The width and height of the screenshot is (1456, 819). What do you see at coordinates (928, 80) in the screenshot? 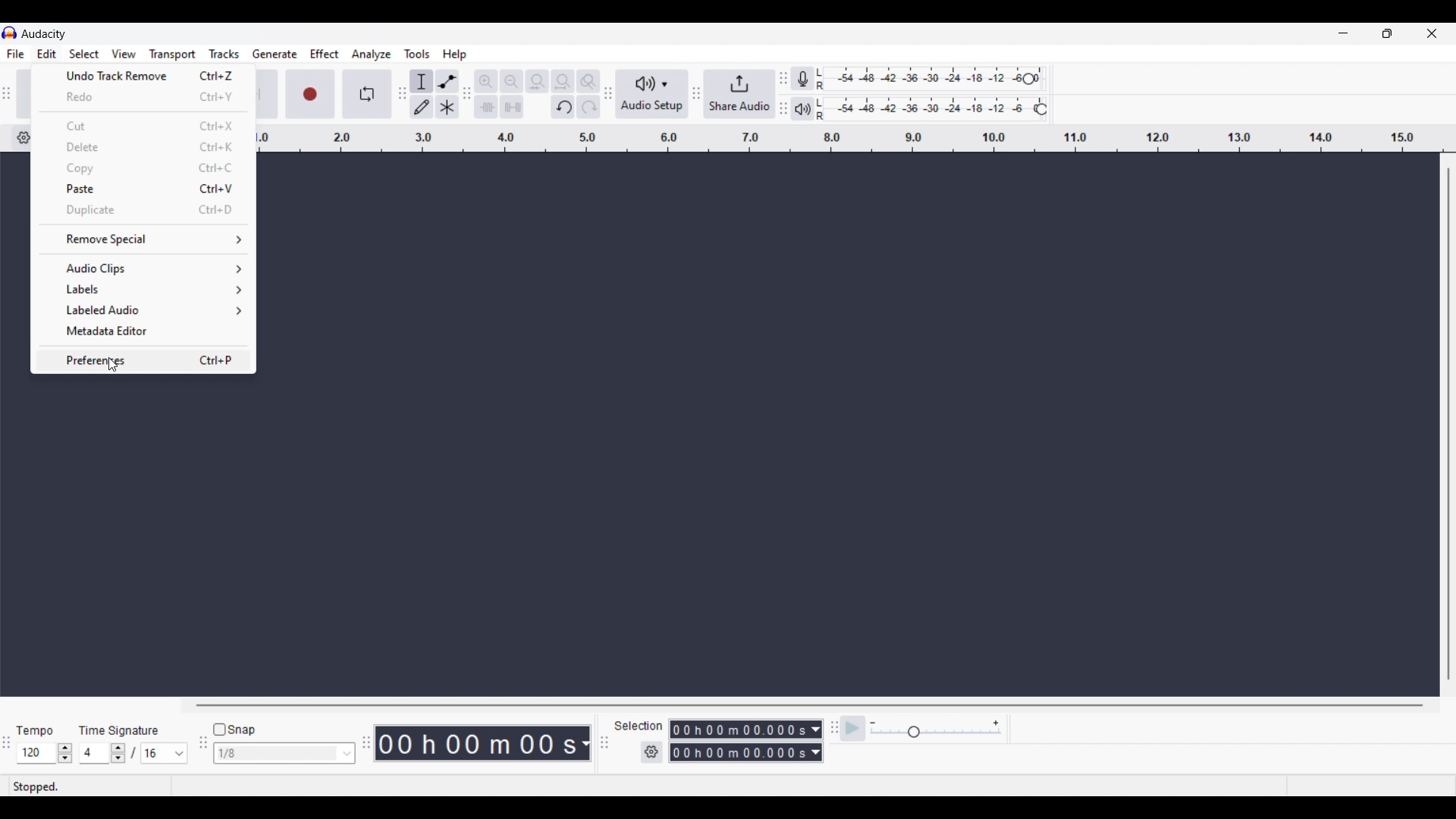
I see `Recording level` at bounding box center [928, 80].